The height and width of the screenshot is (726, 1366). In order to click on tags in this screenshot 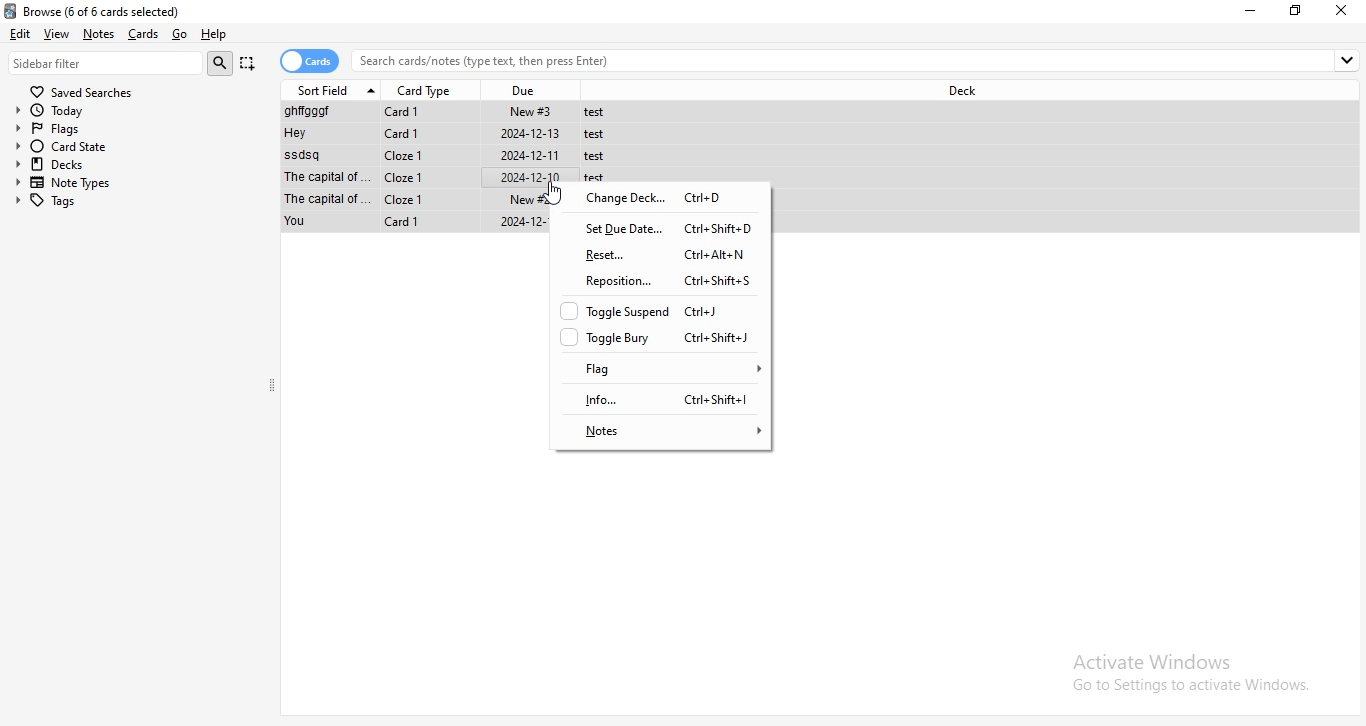, I will do `click(135, 202)`.